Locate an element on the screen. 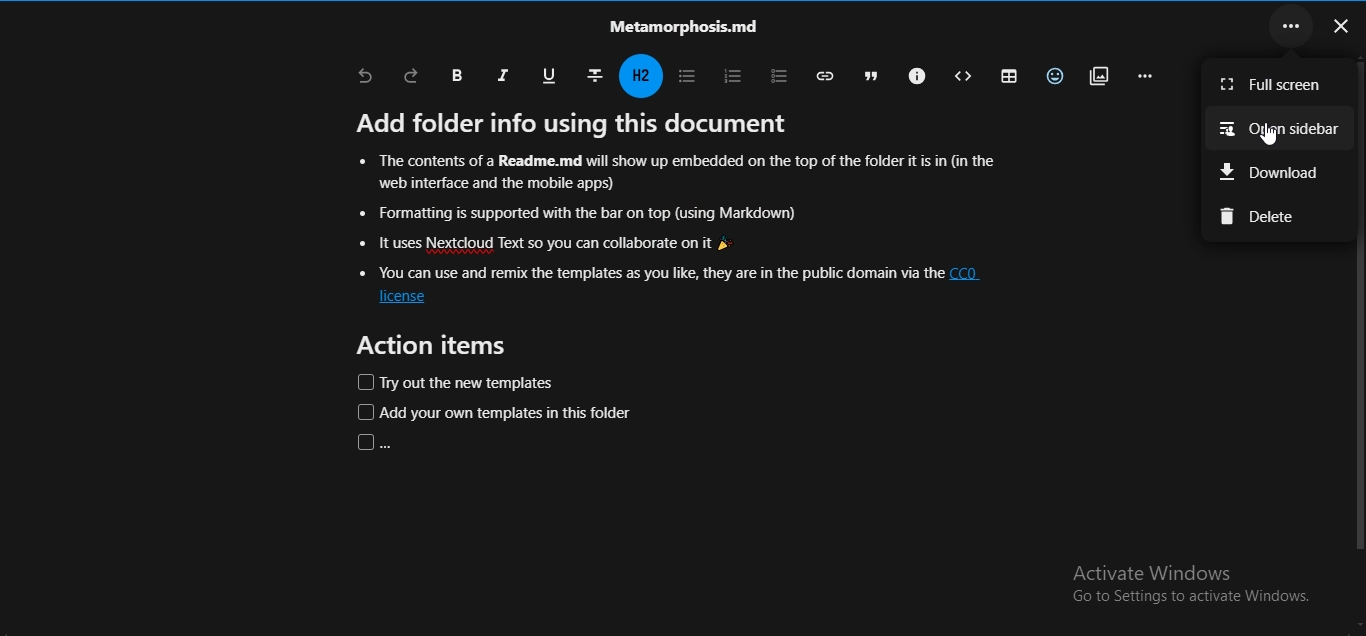  headings is located at coordinates (641, 76).